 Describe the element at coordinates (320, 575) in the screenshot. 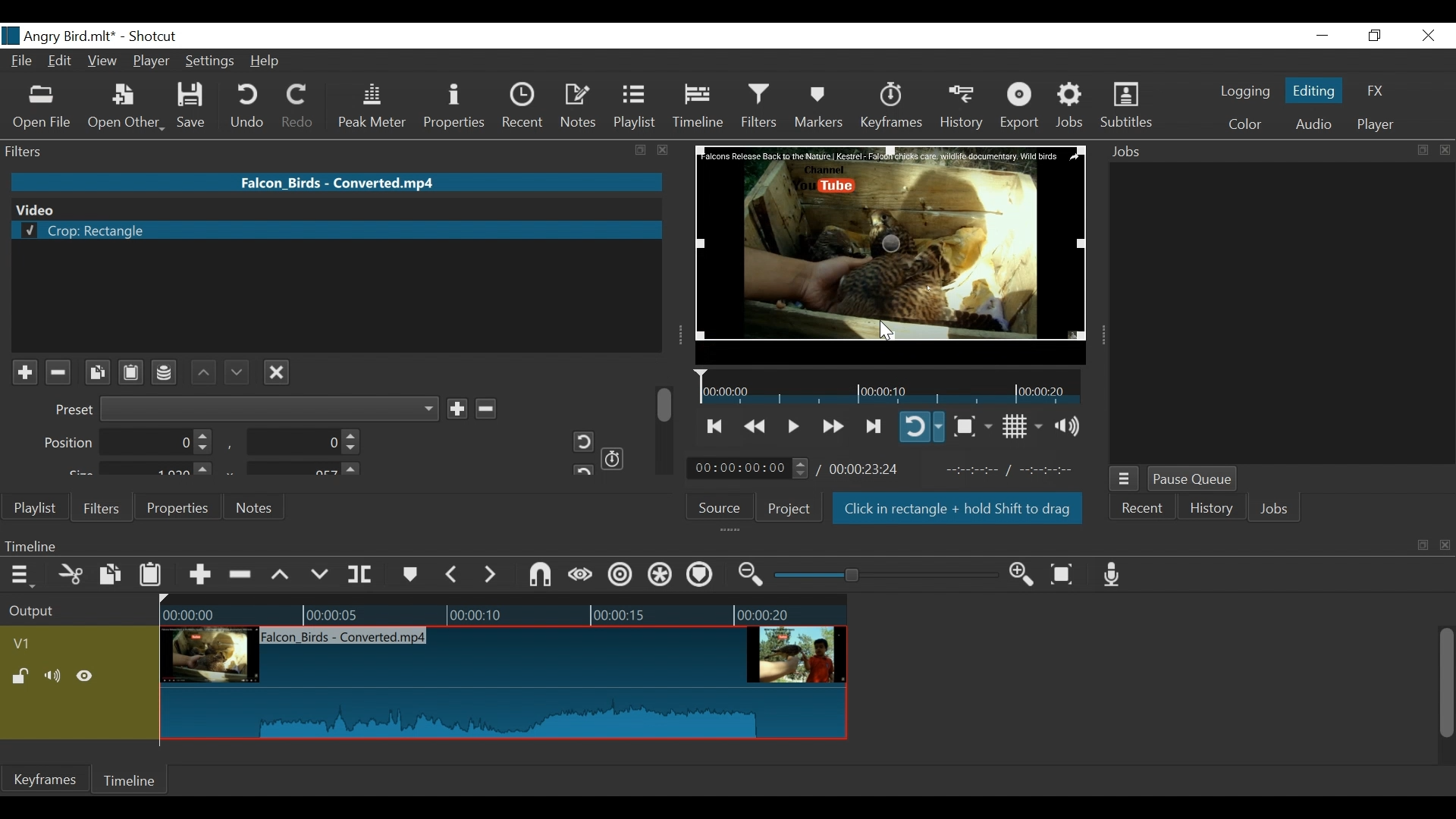

I see `Overwrite` at that location.